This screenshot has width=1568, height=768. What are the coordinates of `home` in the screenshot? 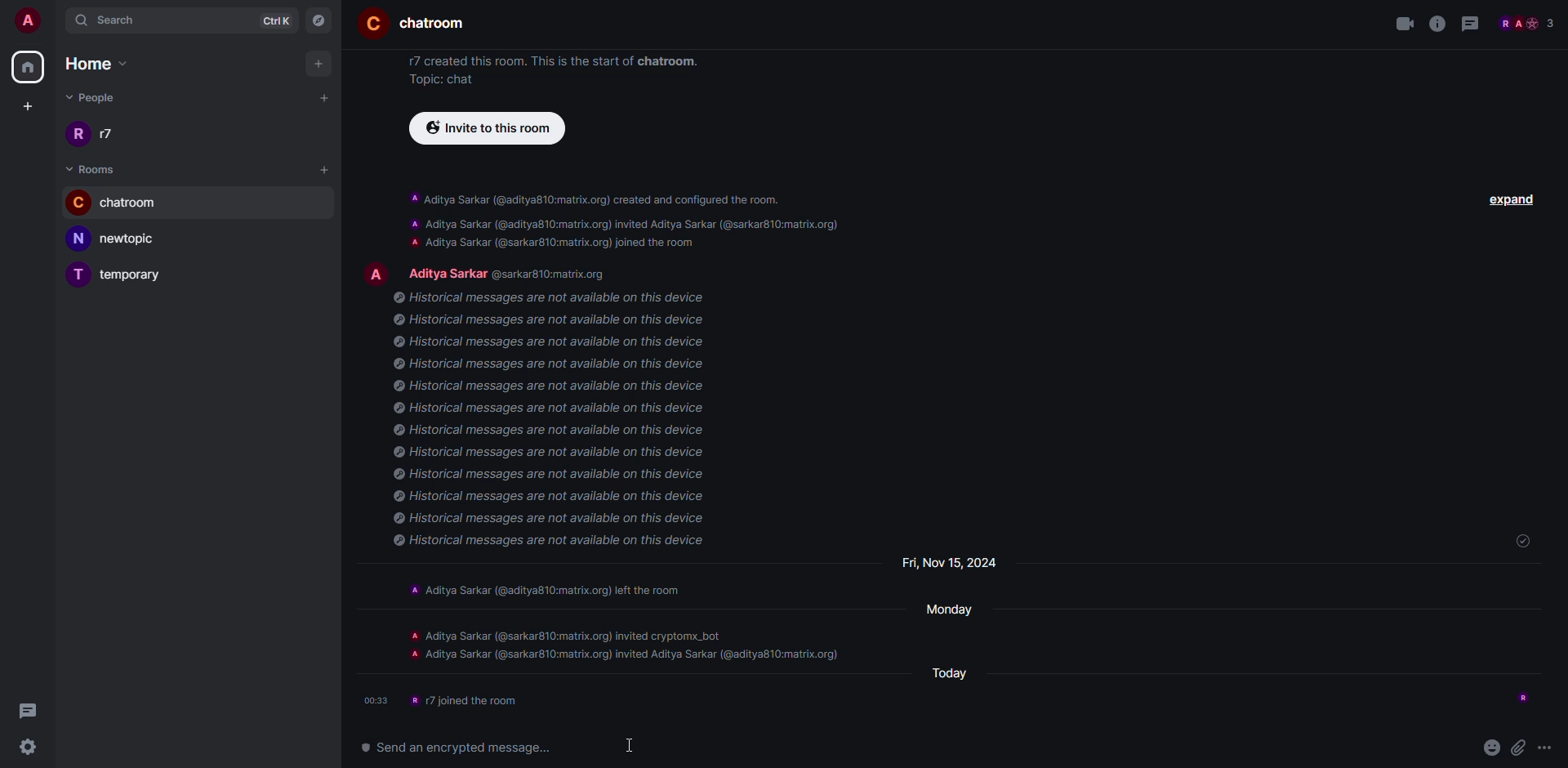 It's located at (29, 66).